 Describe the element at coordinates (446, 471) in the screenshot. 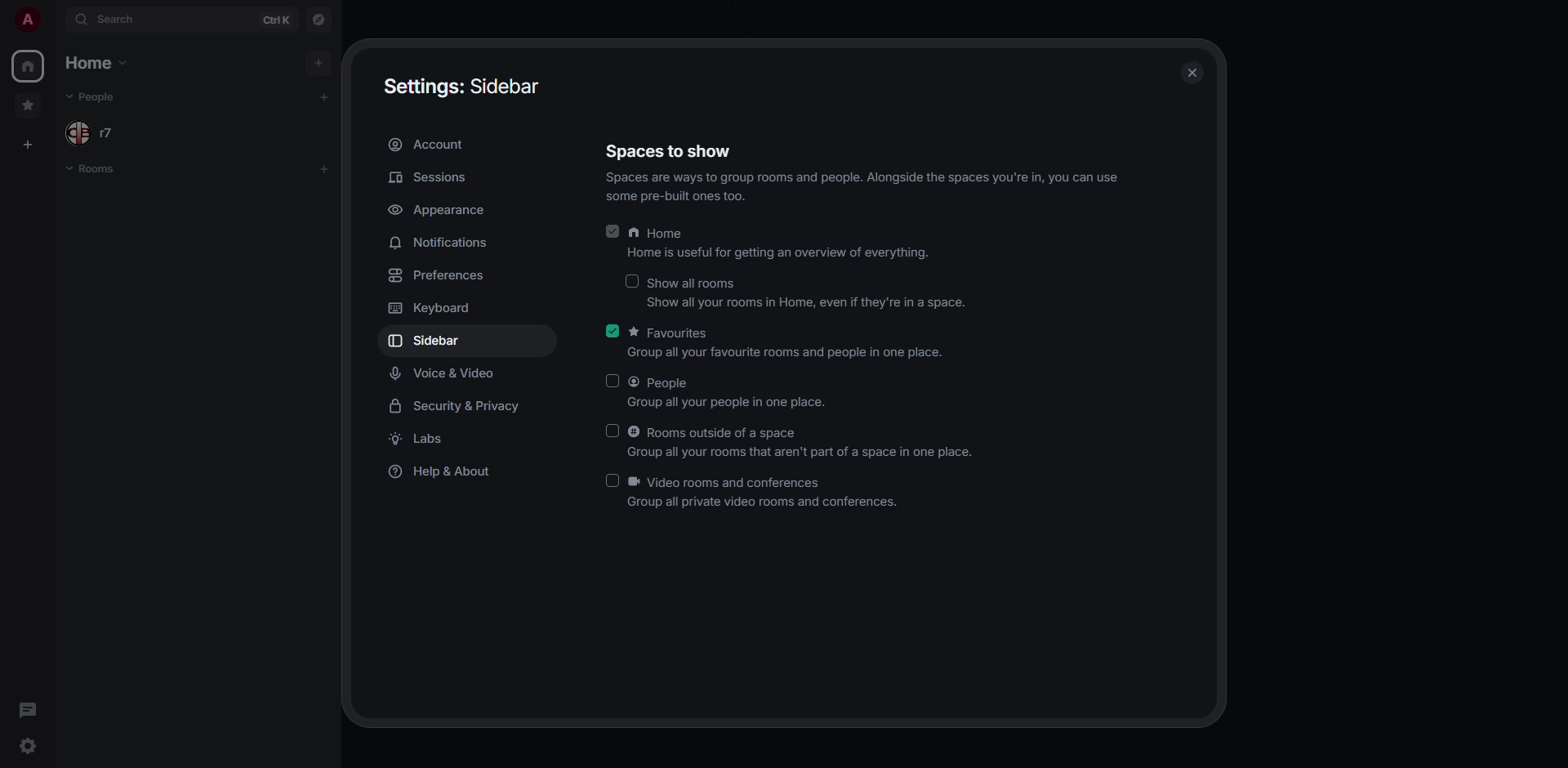

I see `help & about` at that location.